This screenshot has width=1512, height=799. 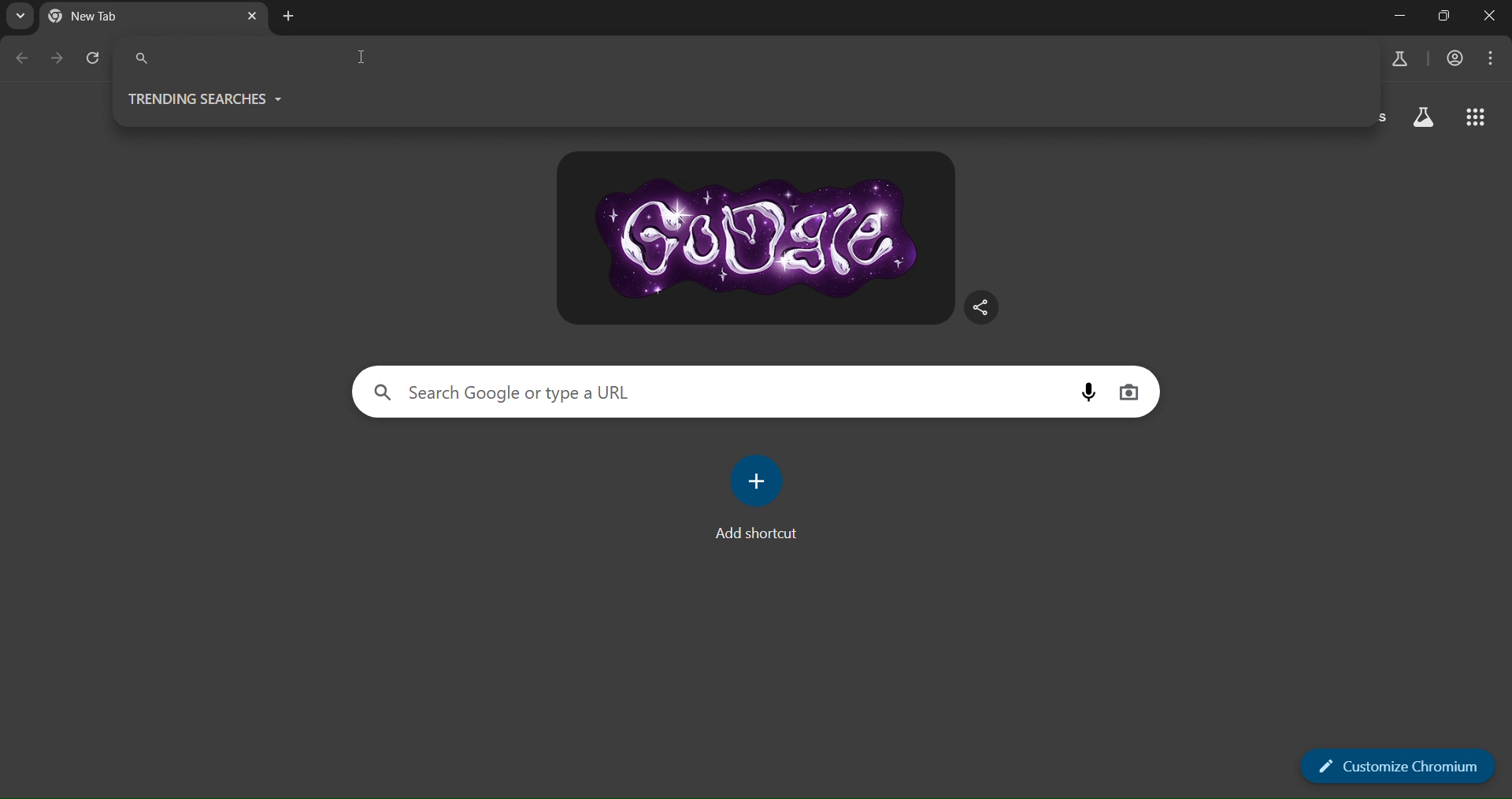 What do you see at coordinates (95, 58) in the screenshot?
I see `reload page` at bounding box center [95, 58].